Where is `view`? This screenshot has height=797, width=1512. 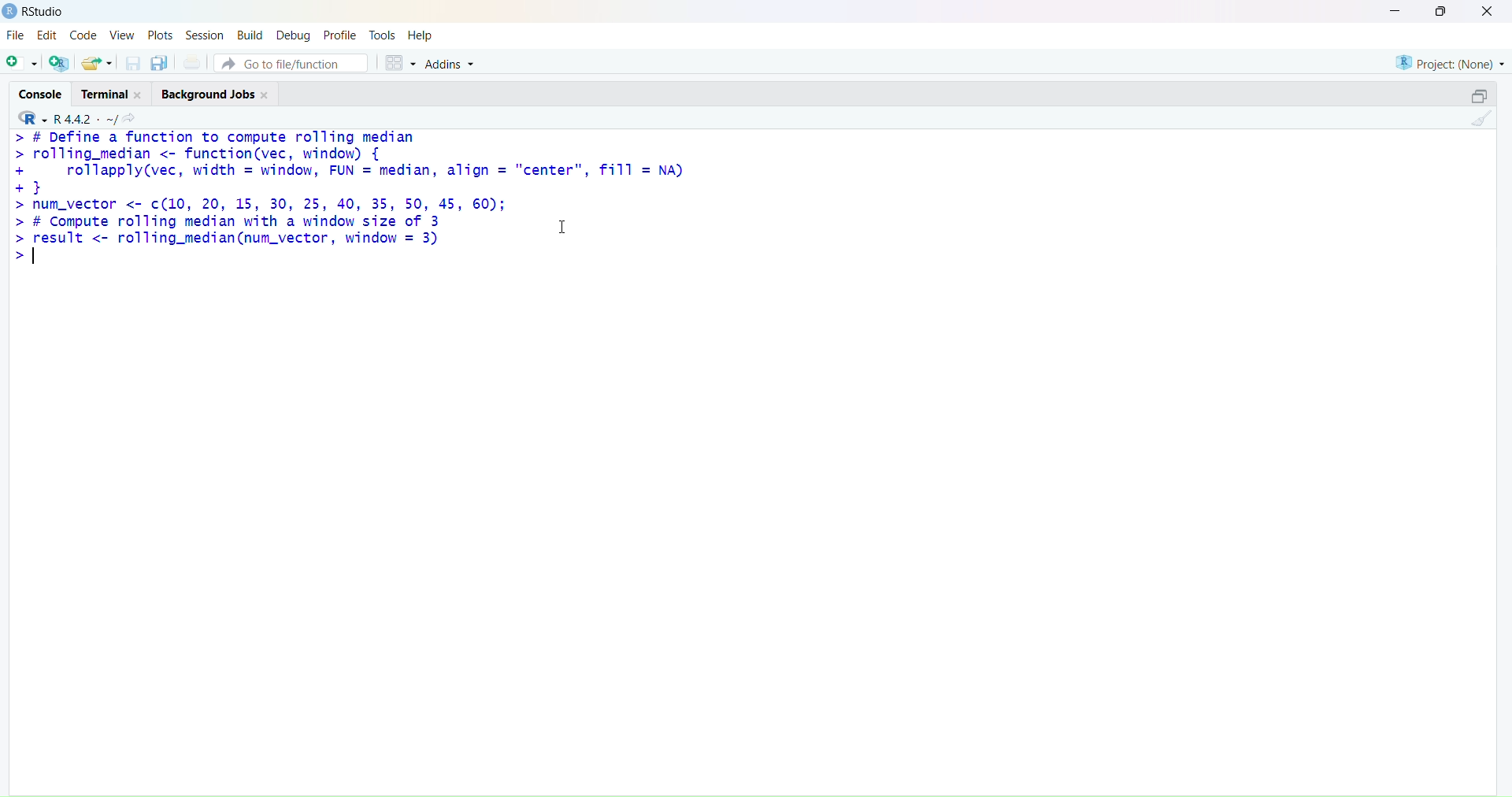 view is located at coordinates (122, 36).